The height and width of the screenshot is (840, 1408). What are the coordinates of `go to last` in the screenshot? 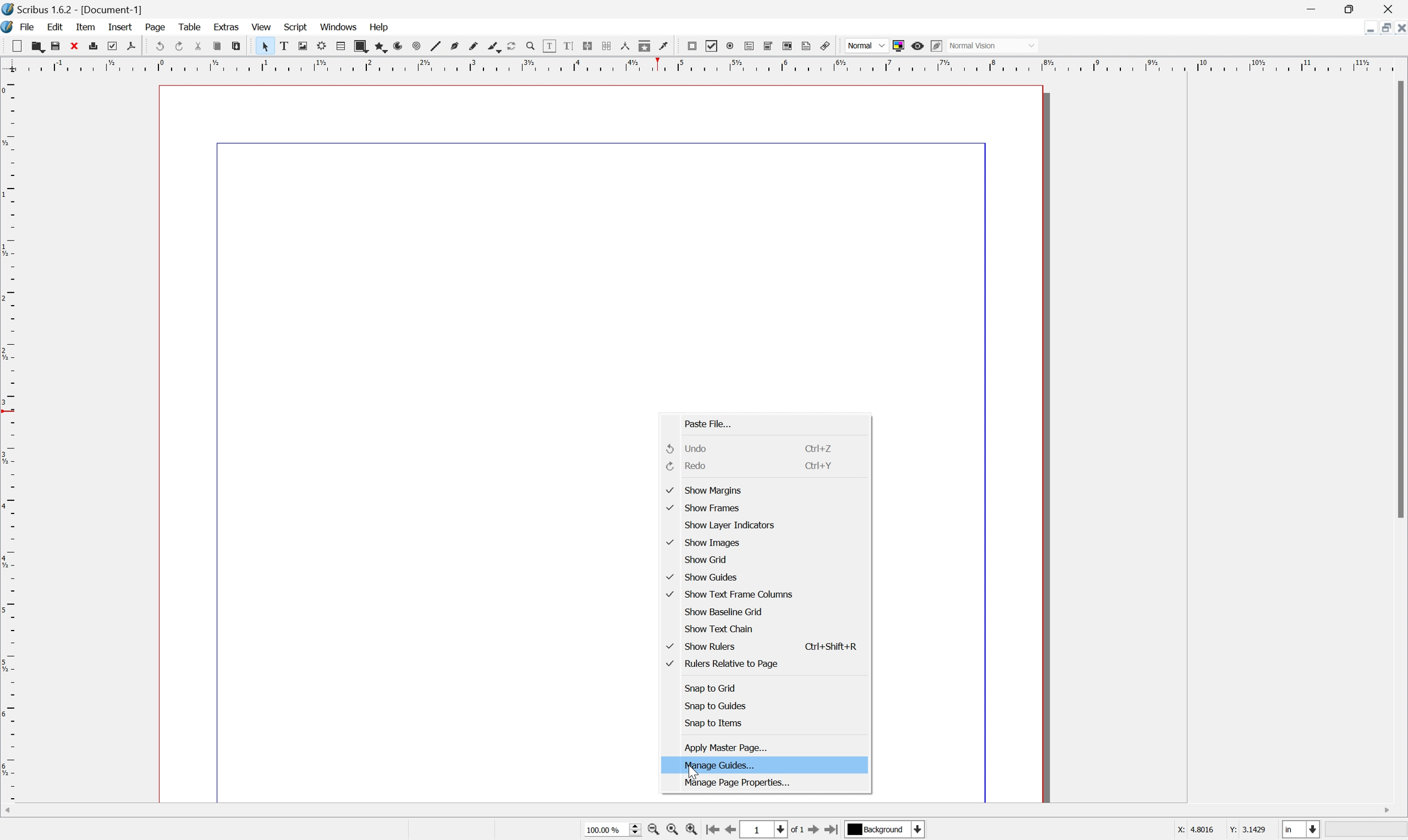 It's located at (832, 832).